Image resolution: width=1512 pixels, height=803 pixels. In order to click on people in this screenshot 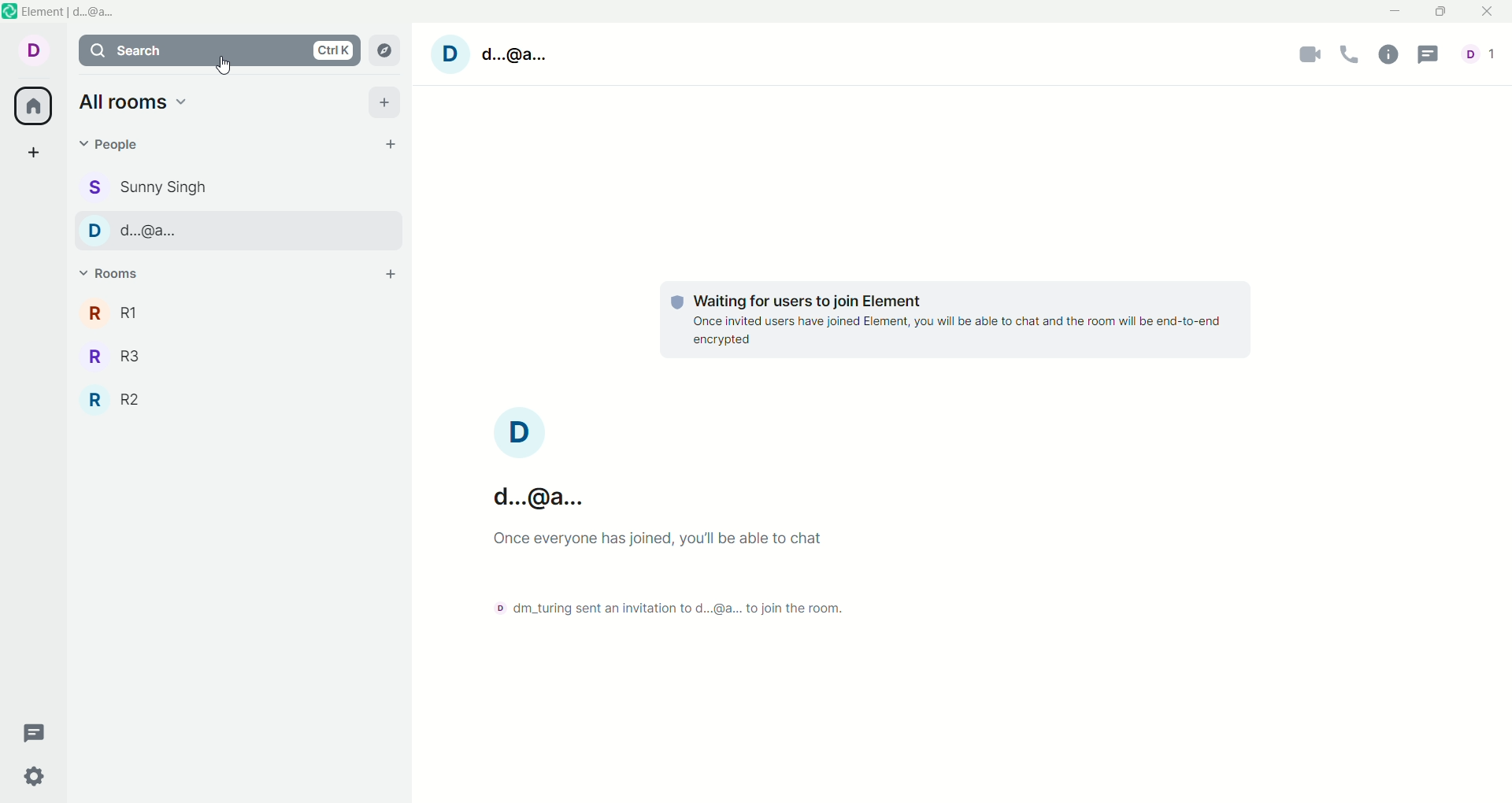, I will do `click(116, 147)`.